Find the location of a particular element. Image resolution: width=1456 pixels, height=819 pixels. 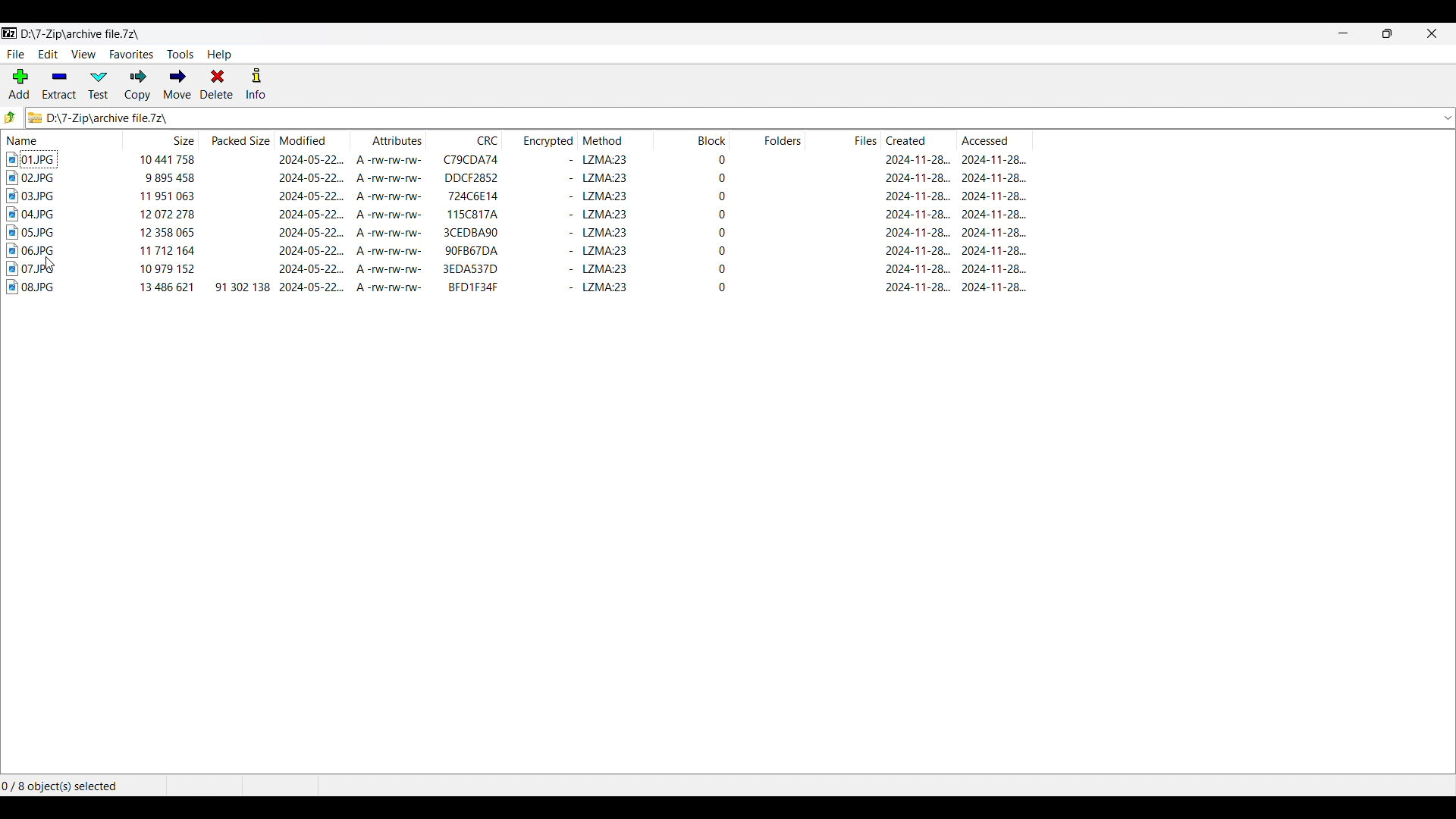

block start is located at coordinates (717, 269).